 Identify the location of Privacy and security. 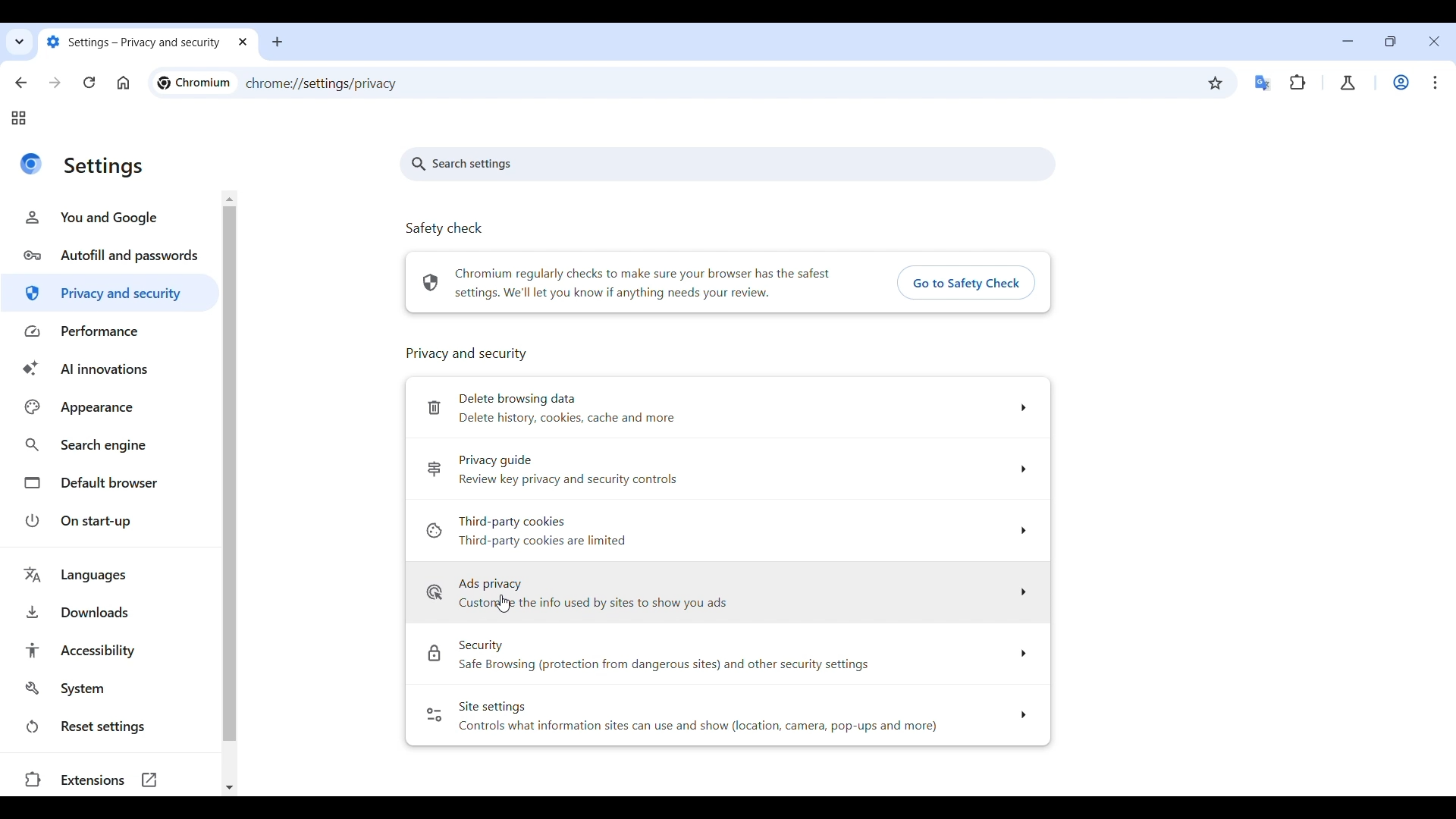
(465, 352).